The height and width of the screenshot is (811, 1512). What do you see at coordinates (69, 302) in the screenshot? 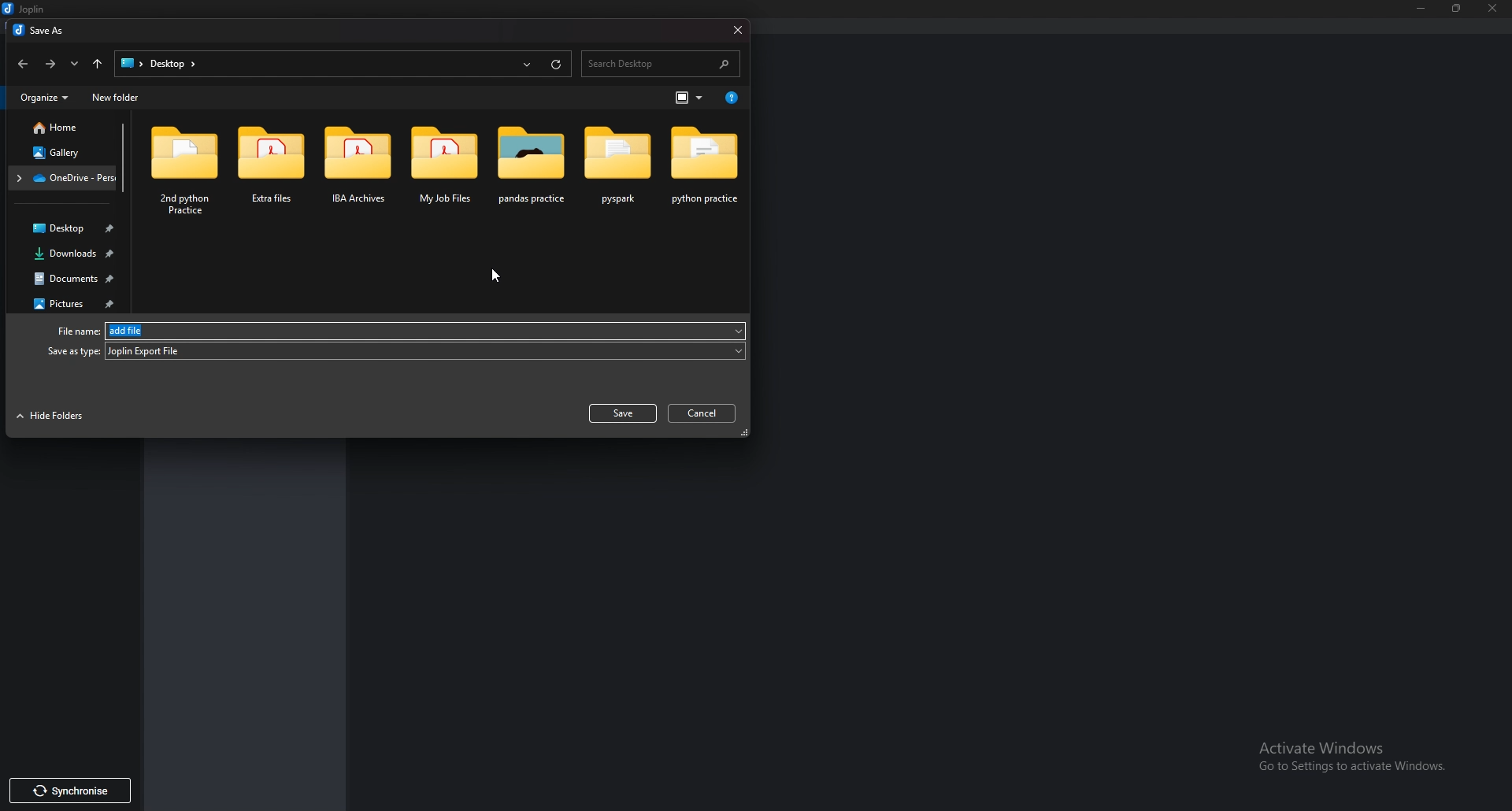
I see `Pictures` at bounding box center [69, 302].